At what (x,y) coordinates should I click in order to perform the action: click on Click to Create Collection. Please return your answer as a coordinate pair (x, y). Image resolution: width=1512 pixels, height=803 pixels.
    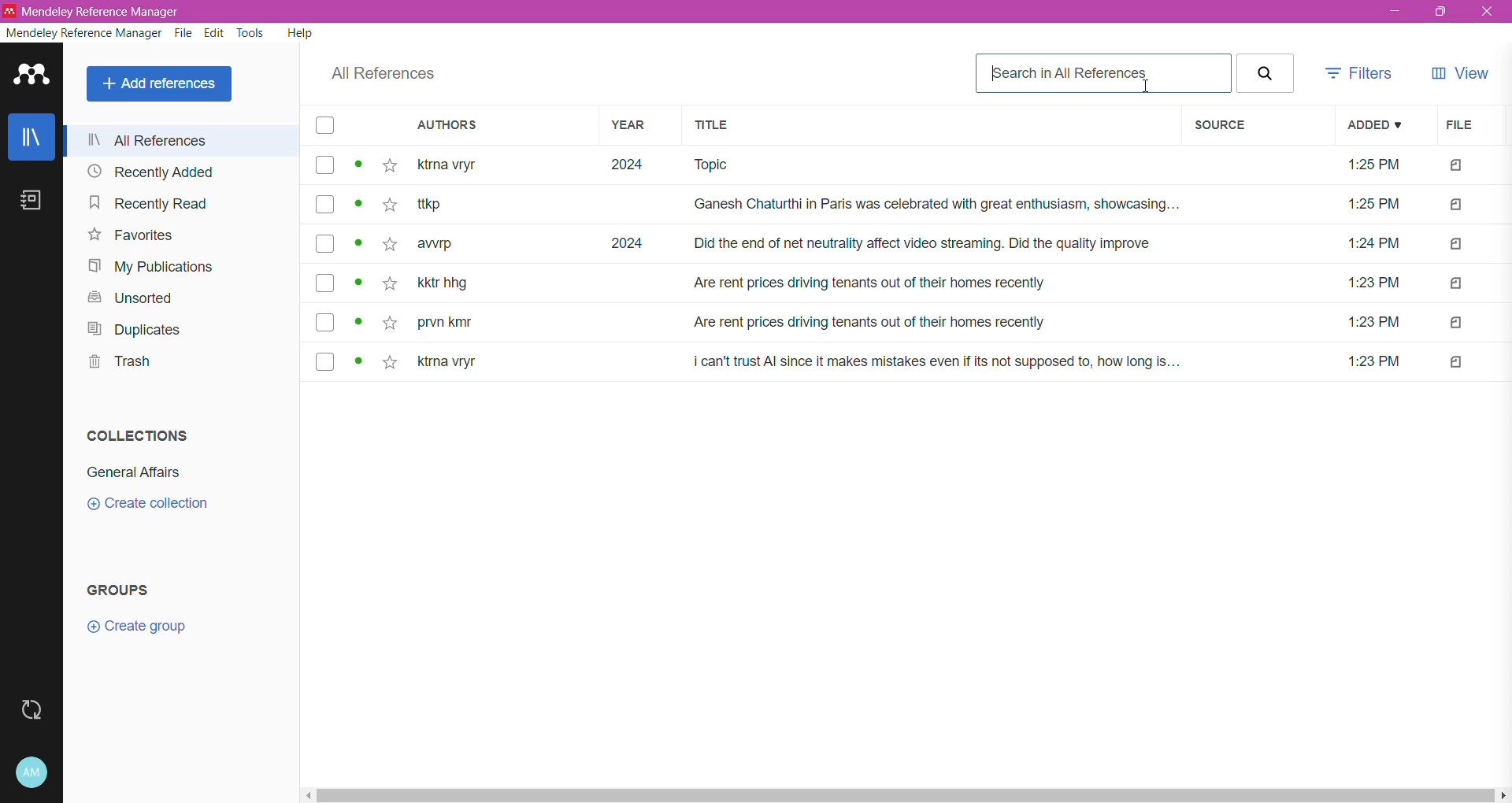
    Looking at the image, I should click on (153, 505).